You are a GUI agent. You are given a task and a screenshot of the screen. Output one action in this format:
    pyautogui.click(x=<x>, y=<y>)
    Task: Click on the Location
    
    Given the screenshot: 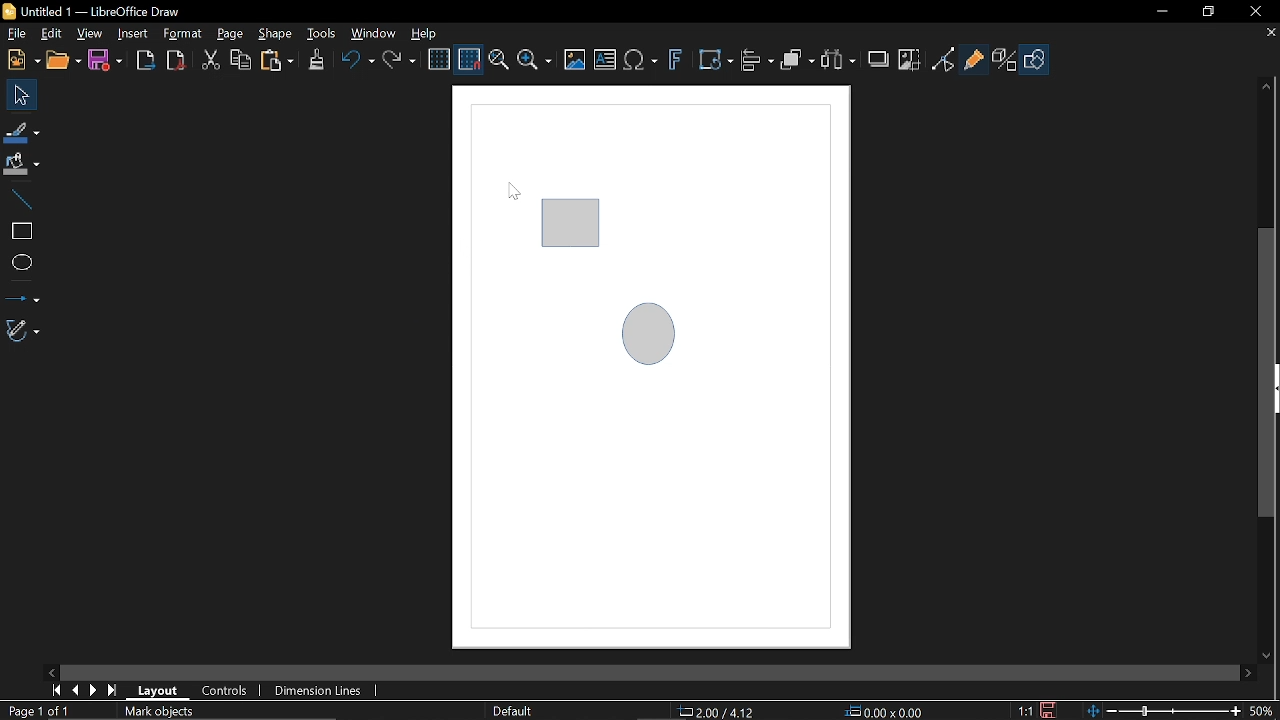 What is the action you would take?
    pyautogui.click(x=719, y=712)
    